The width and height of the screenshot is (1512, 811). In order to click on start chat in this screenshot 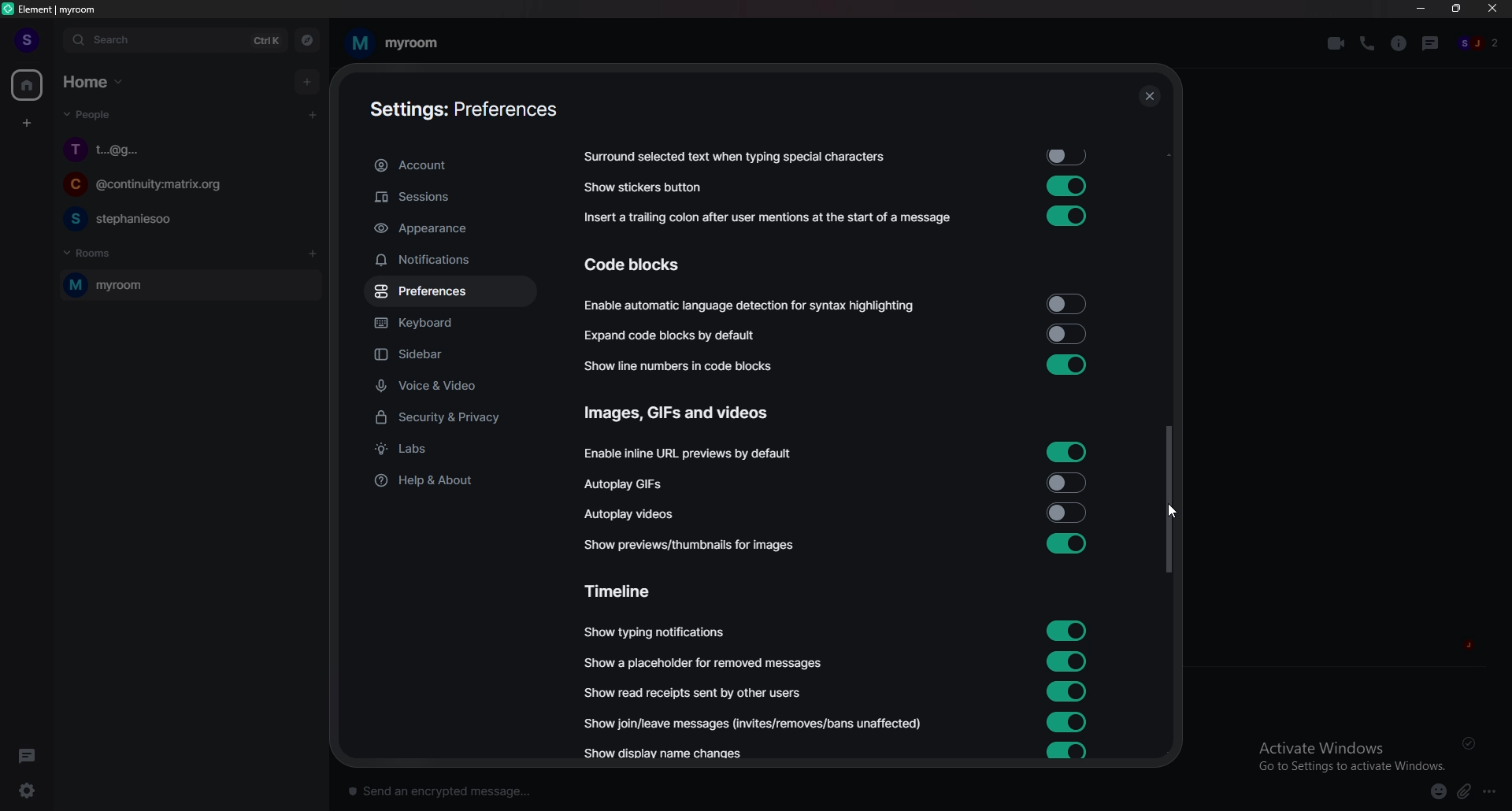, I will do `click(312, 114)`.